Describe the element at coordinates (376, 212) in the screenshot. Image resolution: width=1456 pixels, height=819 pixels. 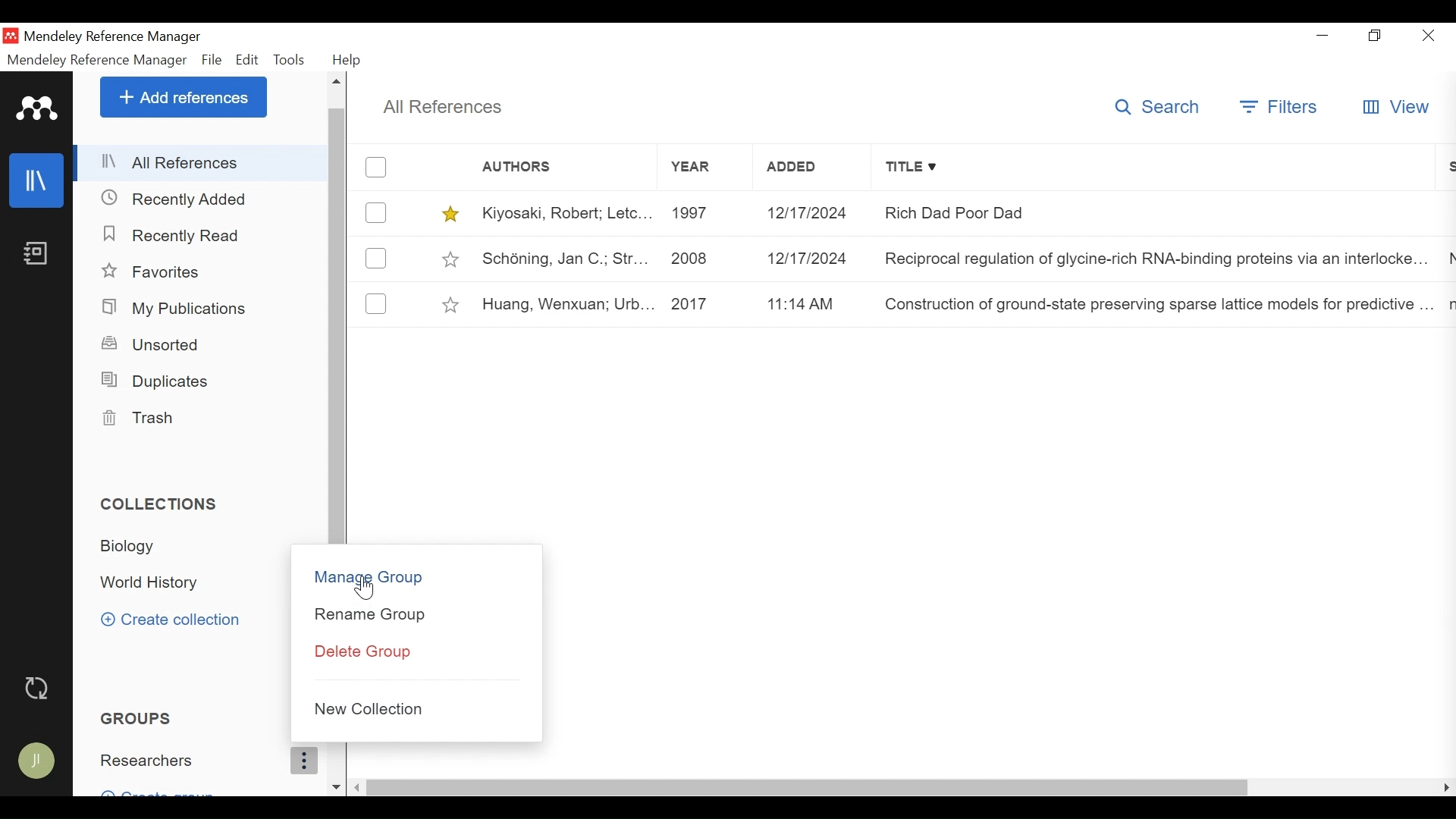
I see `(un)select` at that location.